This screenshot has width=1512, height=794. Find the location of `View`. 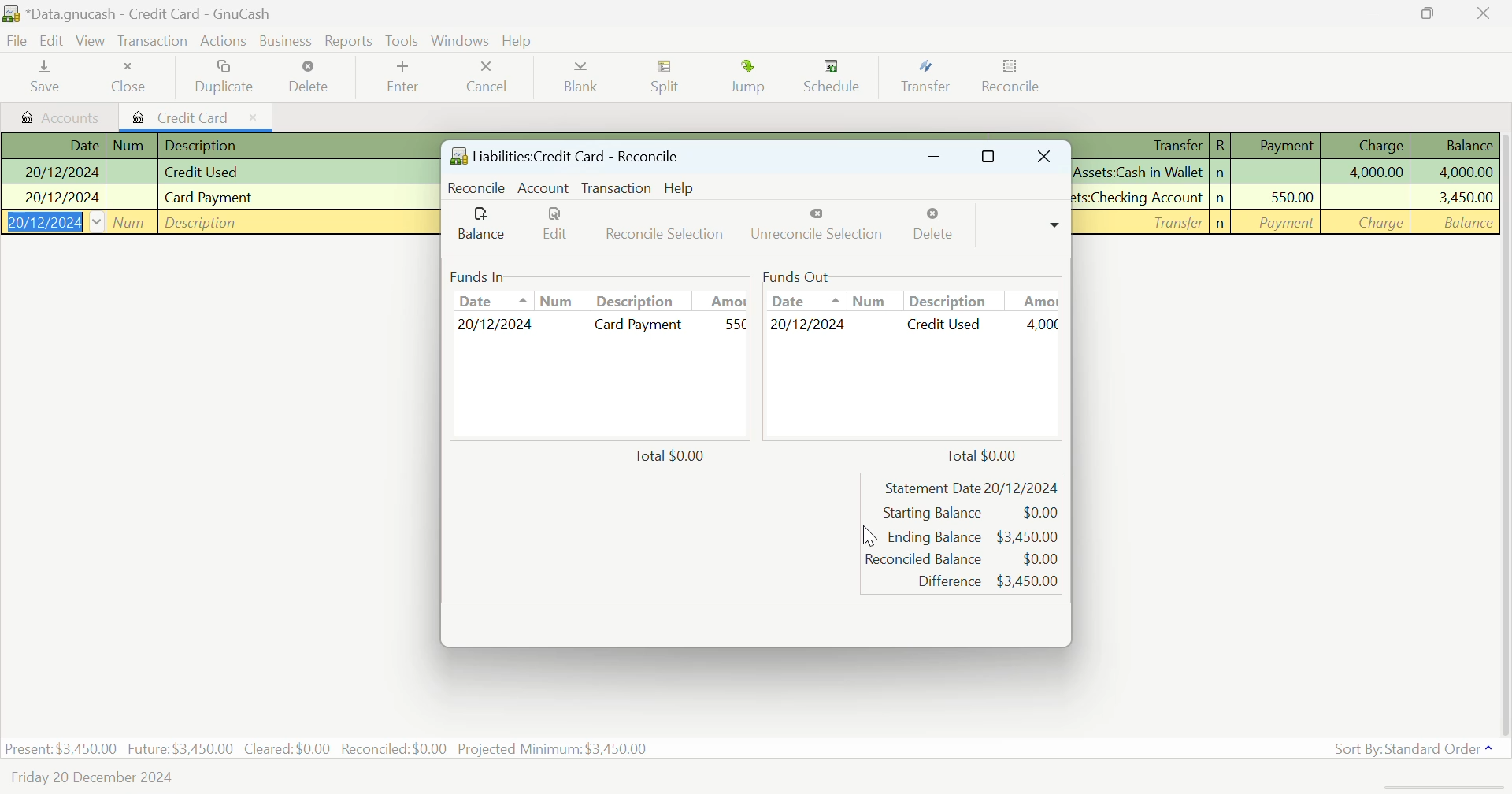

View is located at coordinates (89, 40).